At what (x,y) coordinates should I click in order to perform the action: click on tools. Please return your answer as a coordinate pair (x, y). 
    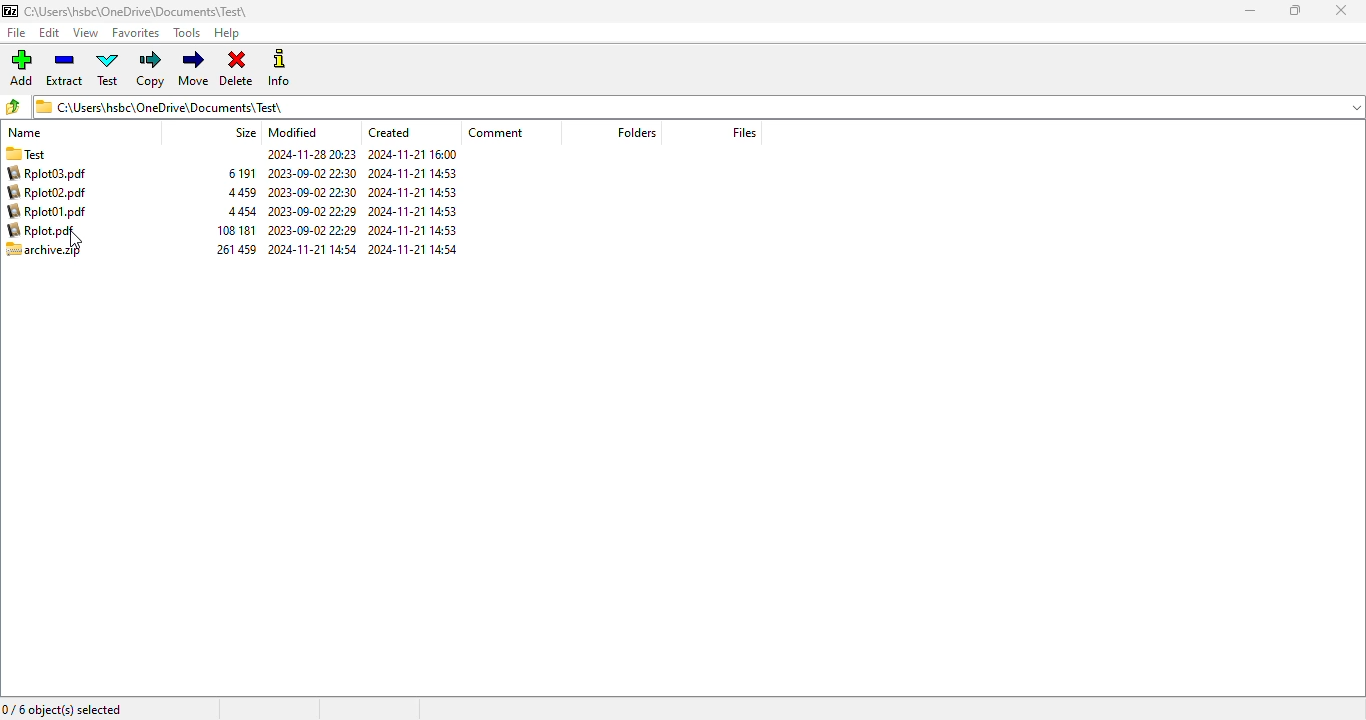
    Looking at the image, I should click on (188, 33).